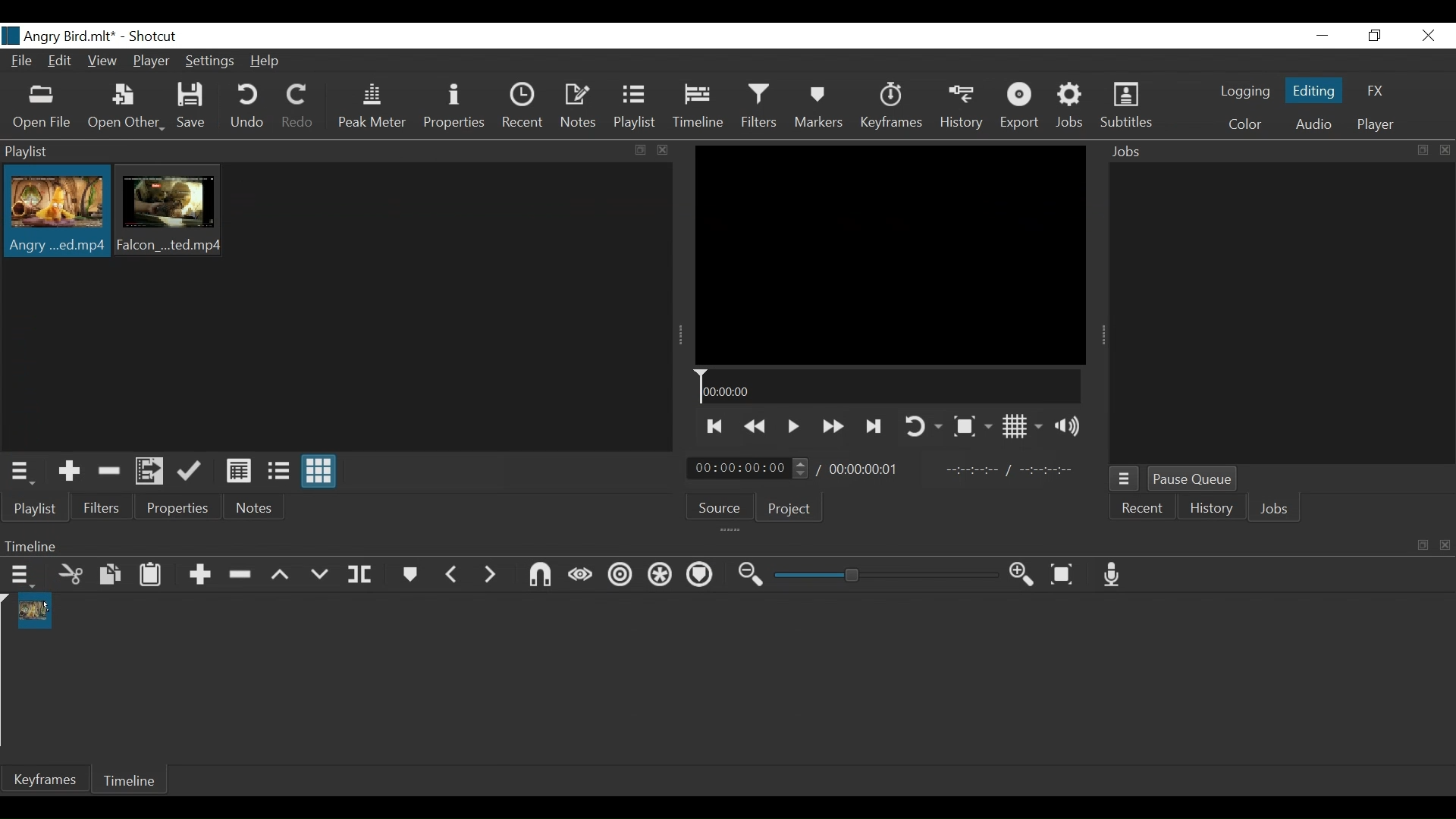 The height and width of the screenshot is (819, 1456). I want to click on Jobs Panel, so click(1280, 315).